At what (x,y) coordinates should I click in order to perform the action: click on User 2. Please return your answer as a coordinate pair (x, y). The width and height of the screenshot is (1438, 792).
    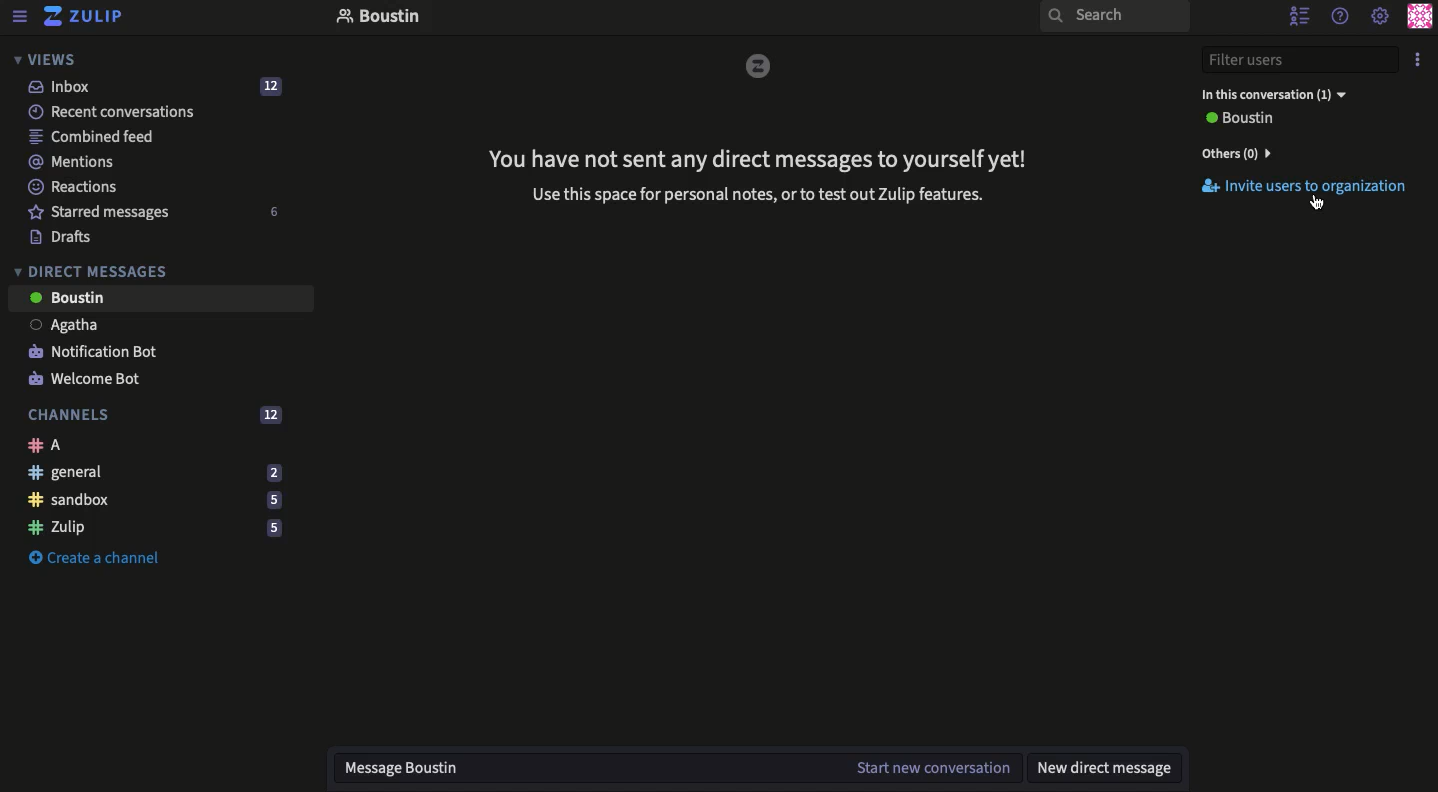
    Looking at the image, I should click on (65, 299).